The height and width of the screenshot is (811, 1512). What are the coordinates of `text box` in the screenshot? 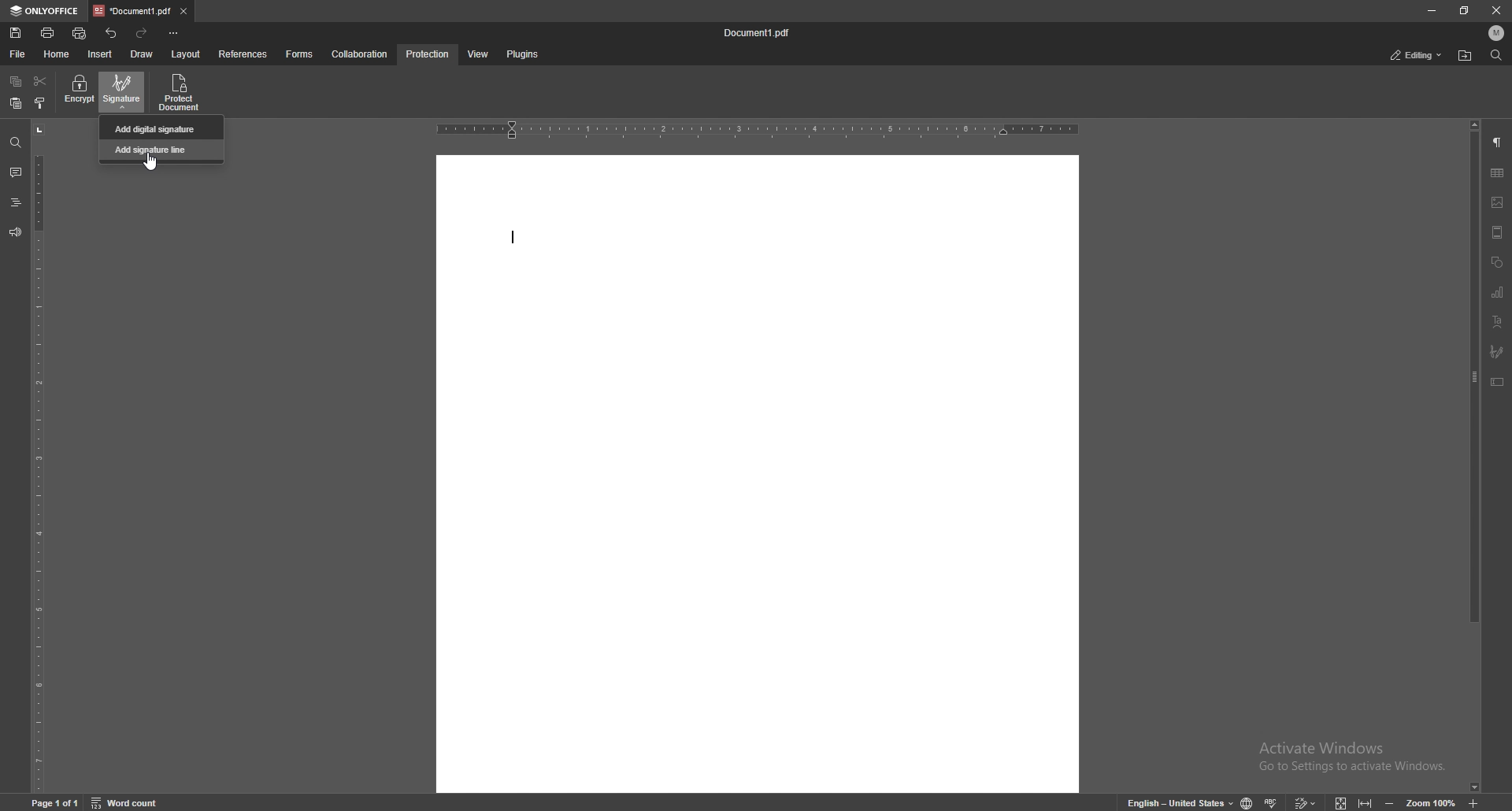 It's located at (1497, 382).